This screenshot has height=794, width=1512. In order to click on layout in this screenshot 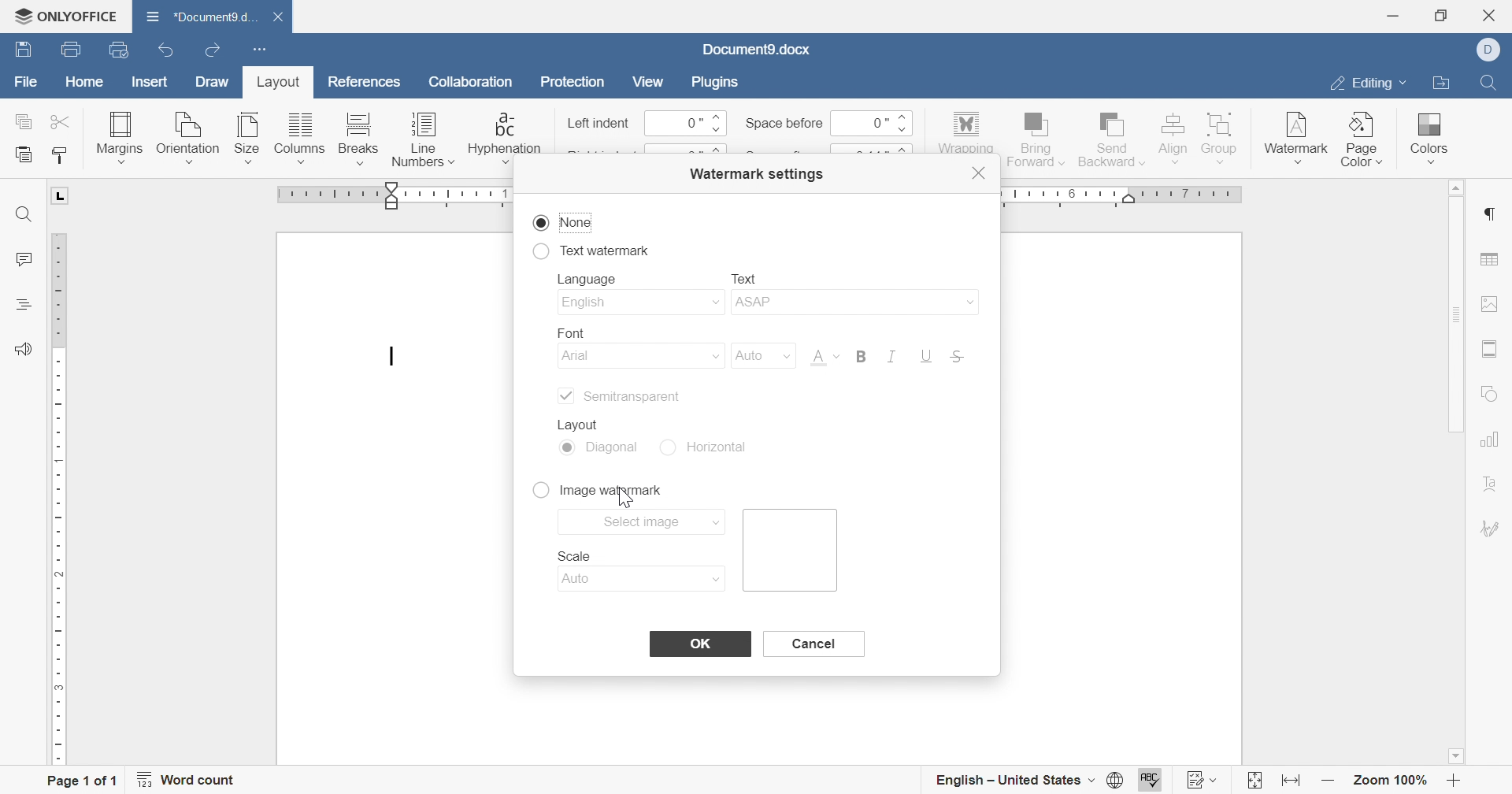, I will do `click(584, 422)`.